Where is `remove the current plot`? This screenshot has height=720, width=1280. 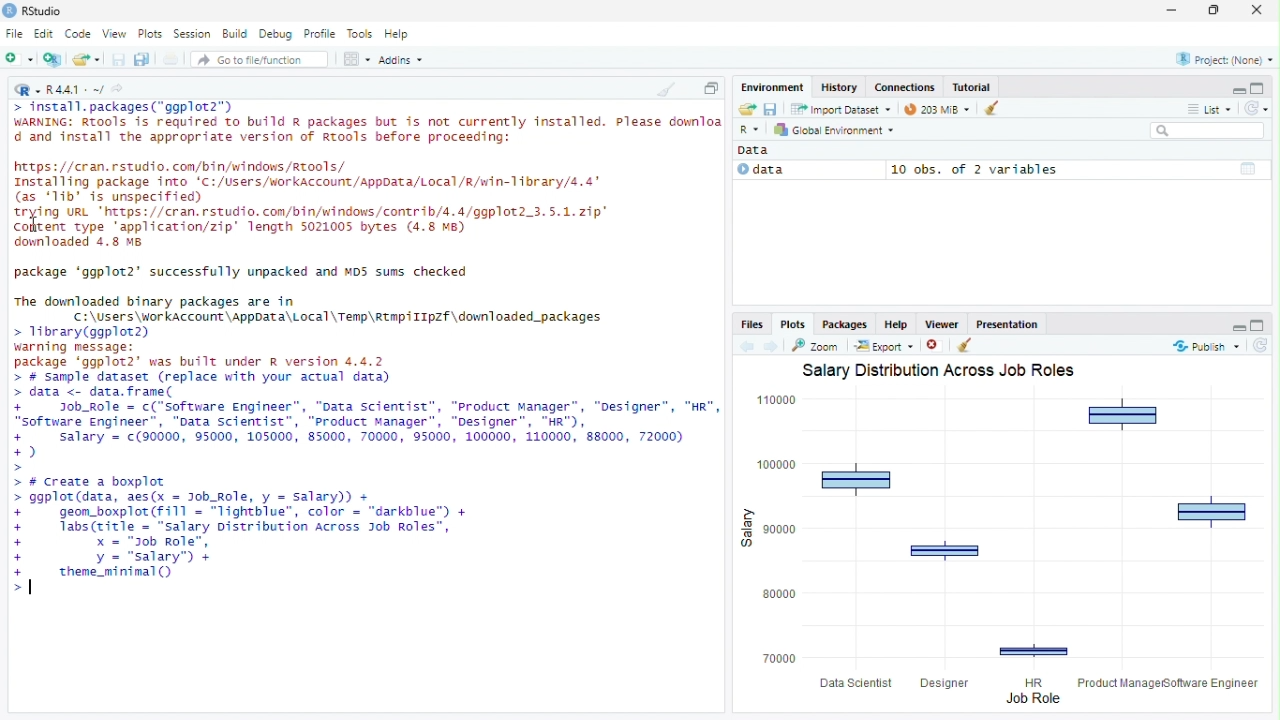
remove the current plot is located at coordinates (933, 346).